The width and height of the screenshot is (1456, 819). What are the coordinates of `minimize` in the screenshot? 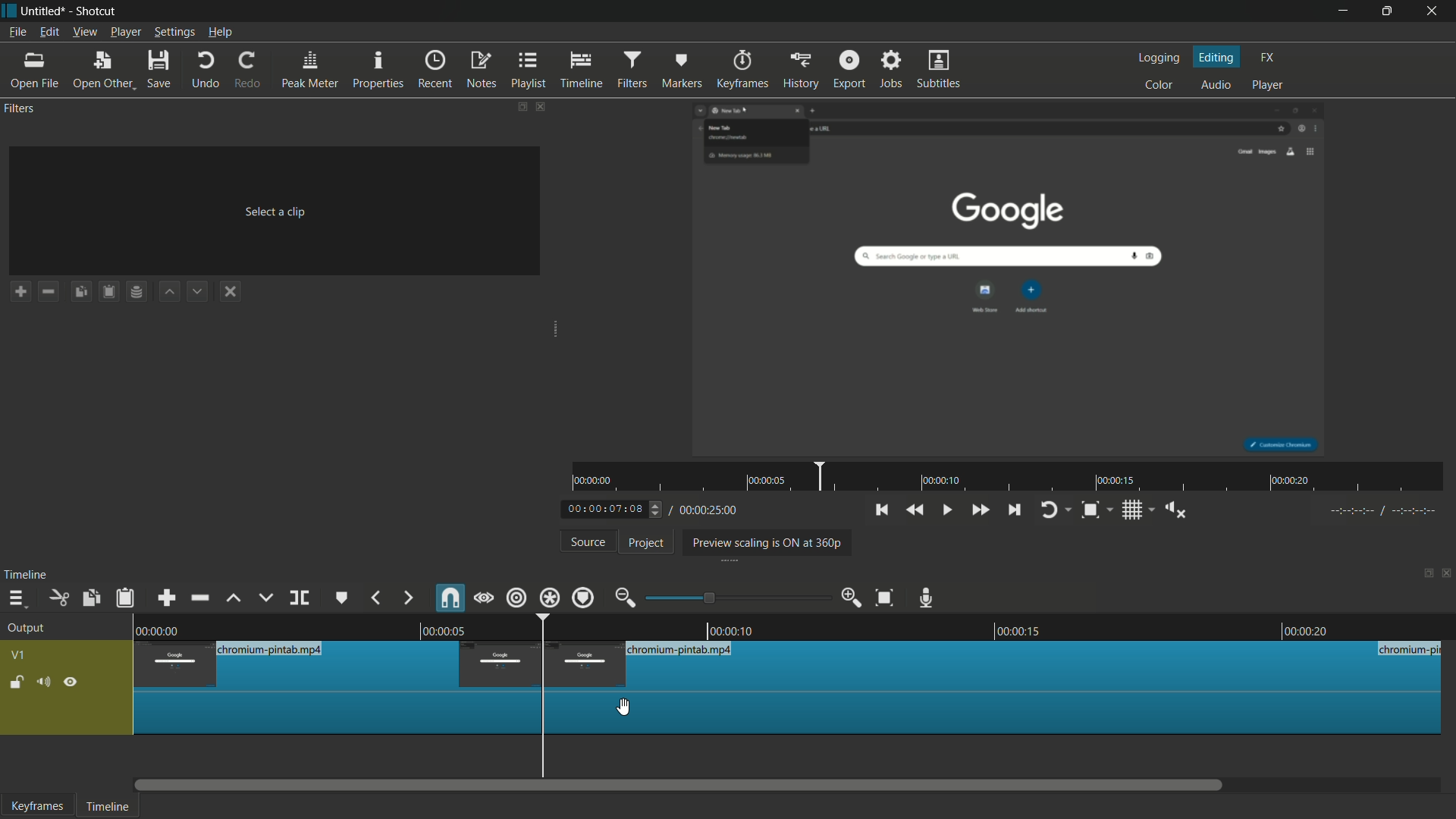 It's located at (1343, 11).